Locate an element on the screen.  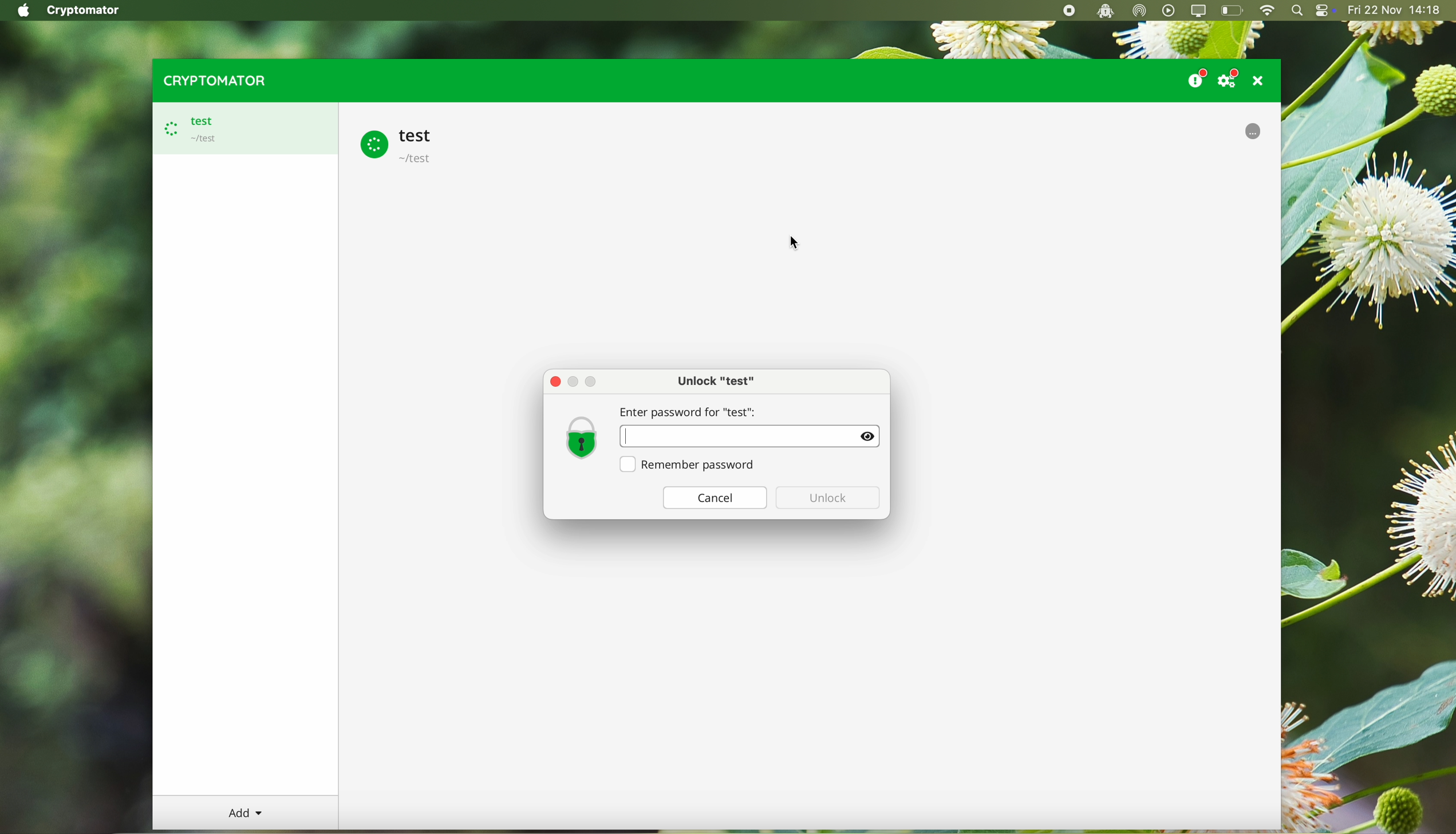
Minimize  is located at coordinates (575, 382).